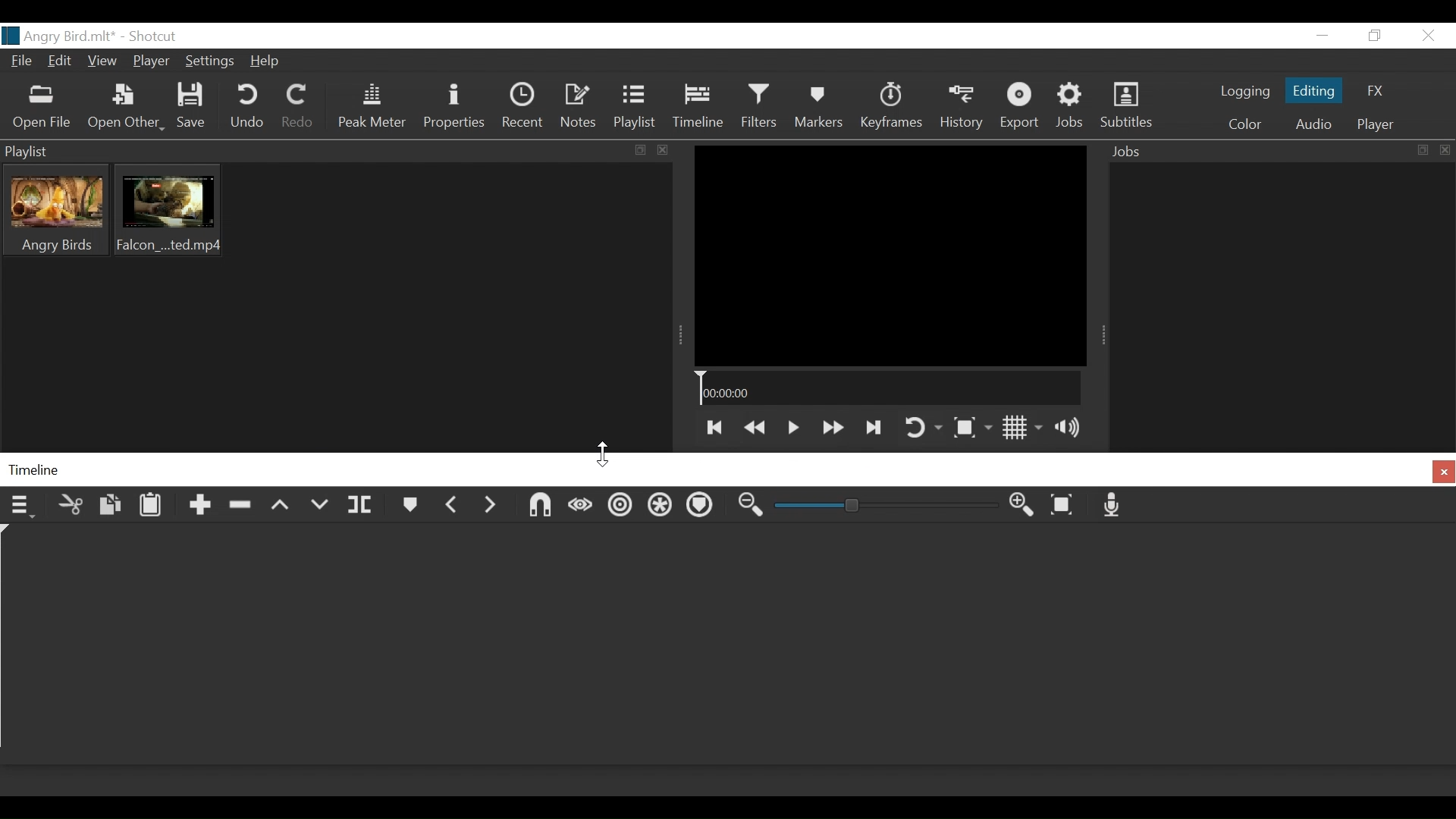 This screenshot has width=1456, height=819. What do you see at coordinates (661, 508) in the screenshot?
I see `Ripple all tracks` at bounding box center [661, 508].